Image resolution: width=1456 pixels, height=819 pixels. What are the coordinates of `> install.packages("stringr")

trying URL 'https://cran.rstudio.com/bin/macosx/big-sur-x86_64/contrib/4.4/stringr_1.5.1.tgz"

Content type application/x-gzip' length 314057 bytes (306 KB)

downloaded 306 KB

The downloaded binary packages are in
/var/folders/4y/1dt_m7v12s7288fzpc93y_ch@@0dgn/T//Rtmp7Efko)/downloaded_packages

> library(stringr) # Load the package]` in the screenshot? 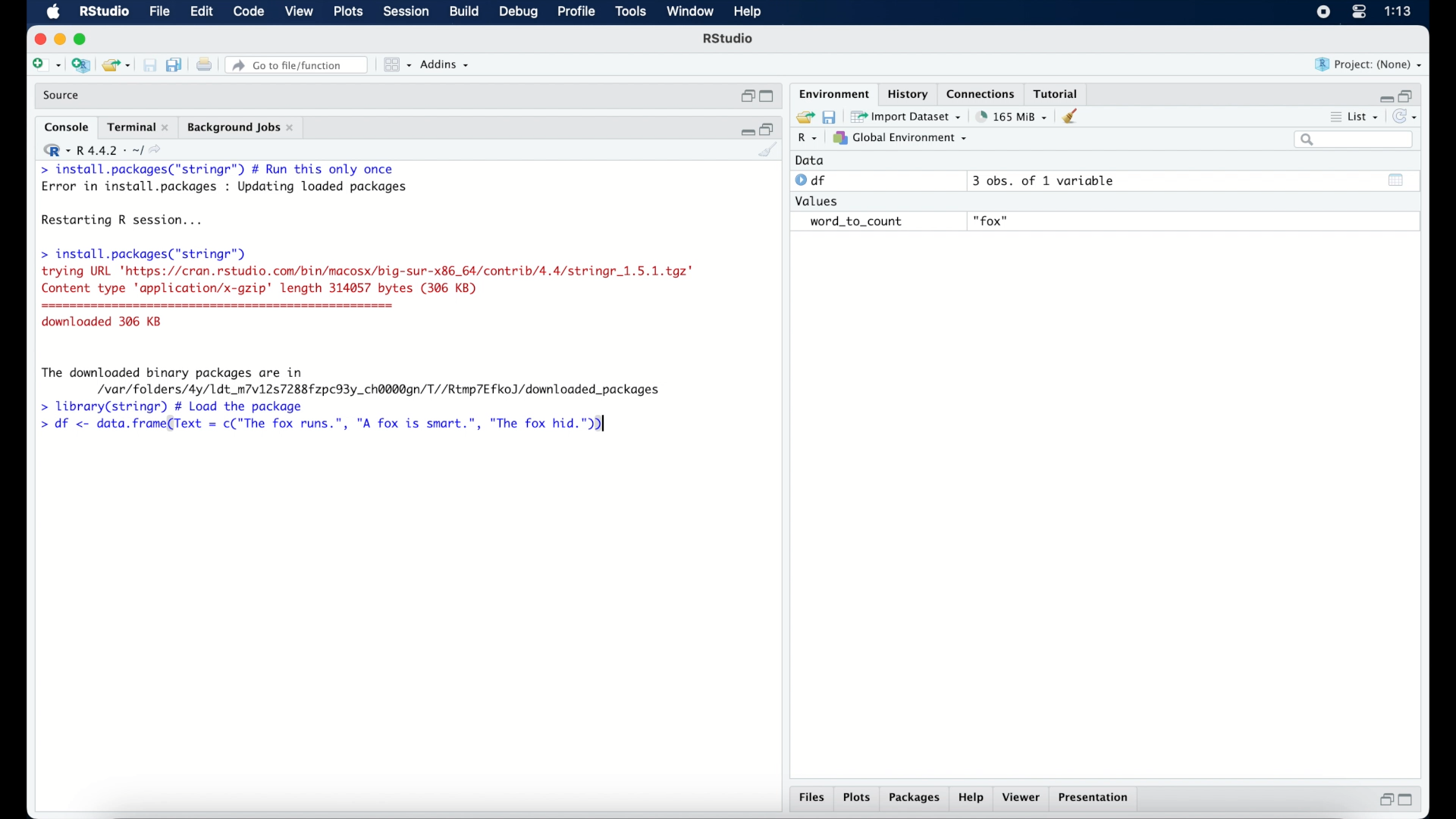 It's located at (367, 330).